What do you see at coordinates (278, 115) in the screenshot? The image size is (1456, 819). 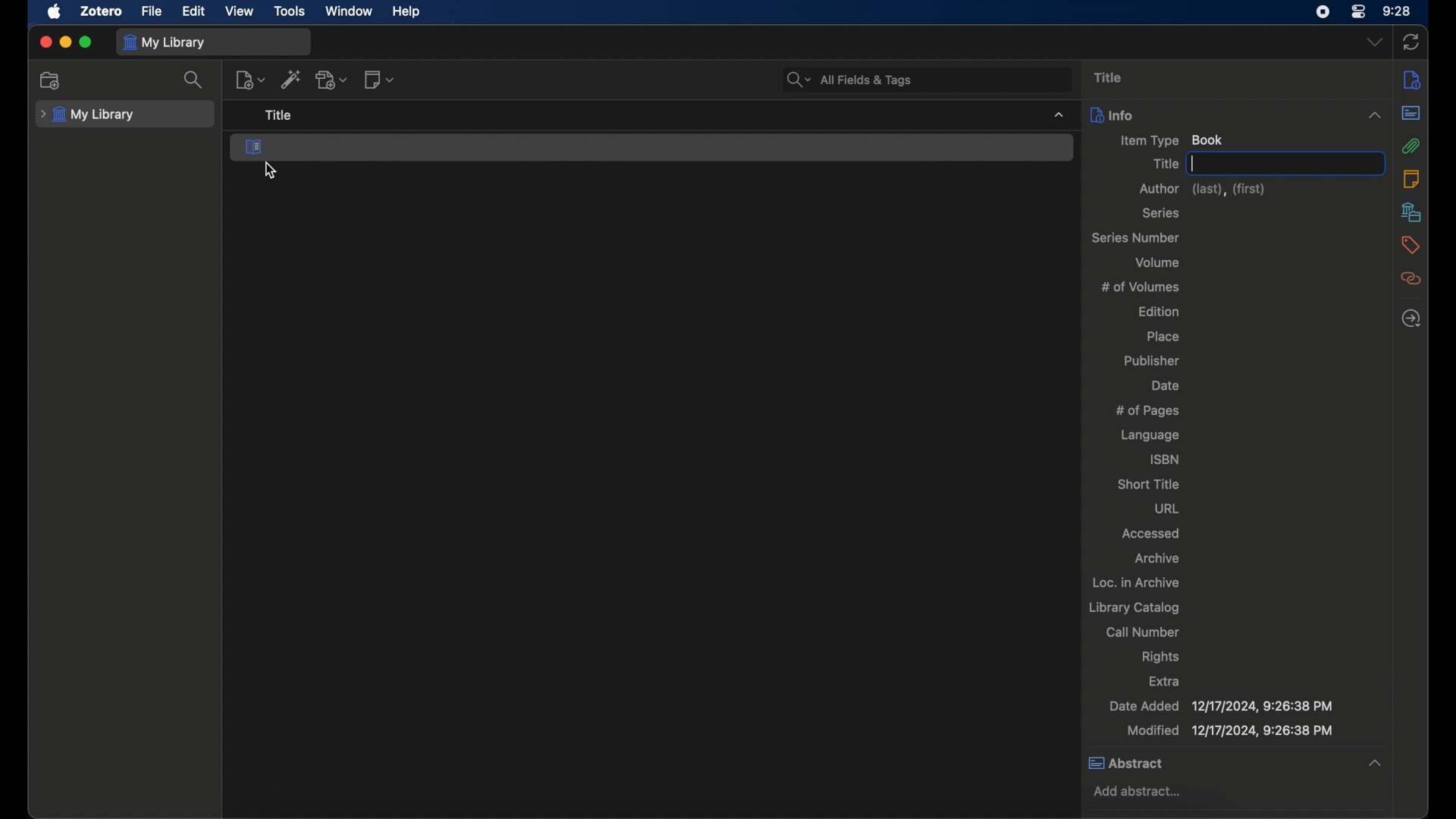 I see `title` at bounding box center [278, 115].